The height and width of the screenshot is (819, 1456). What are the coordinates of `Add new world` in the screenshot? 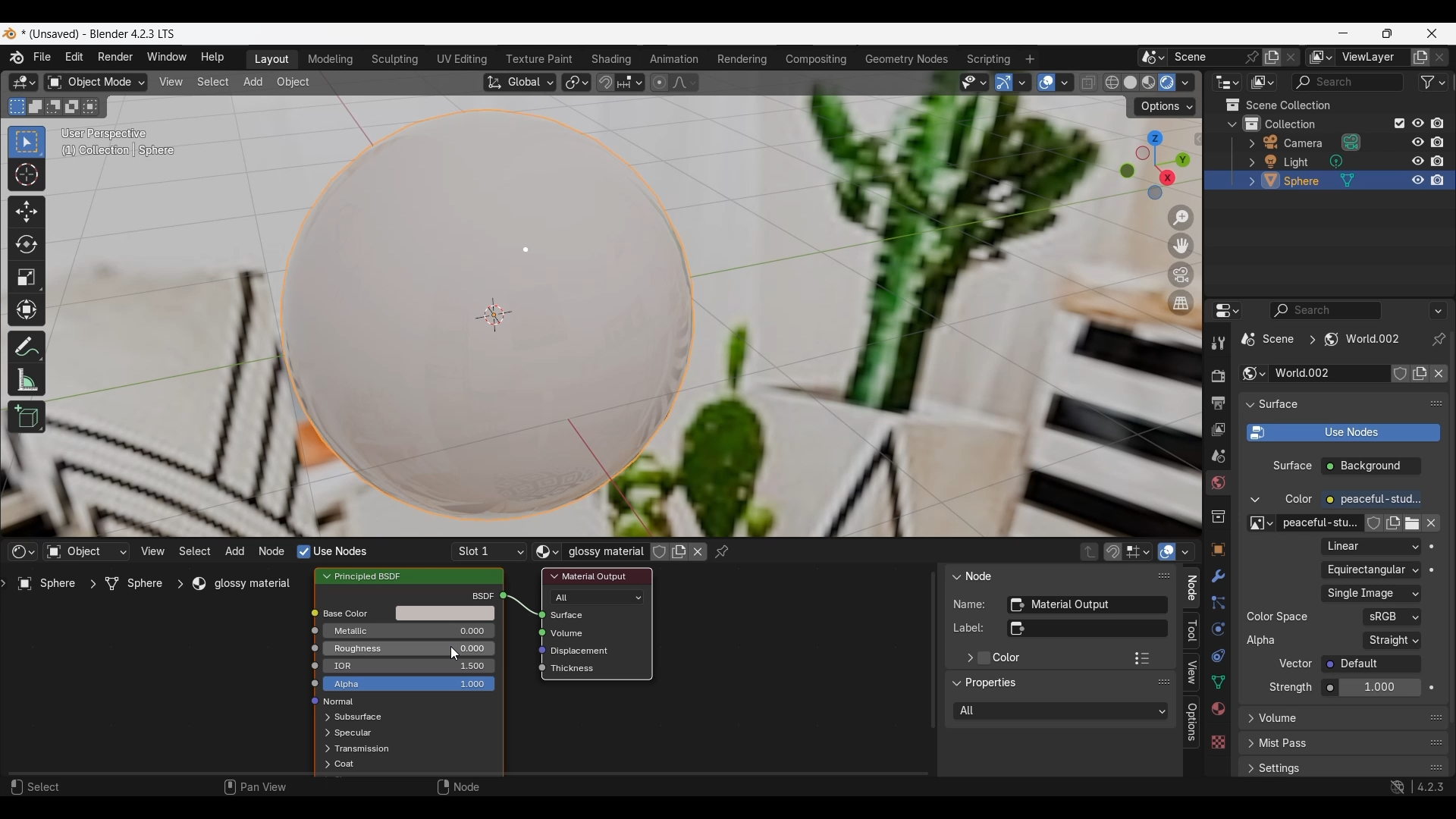 It's located at (1420, 373).